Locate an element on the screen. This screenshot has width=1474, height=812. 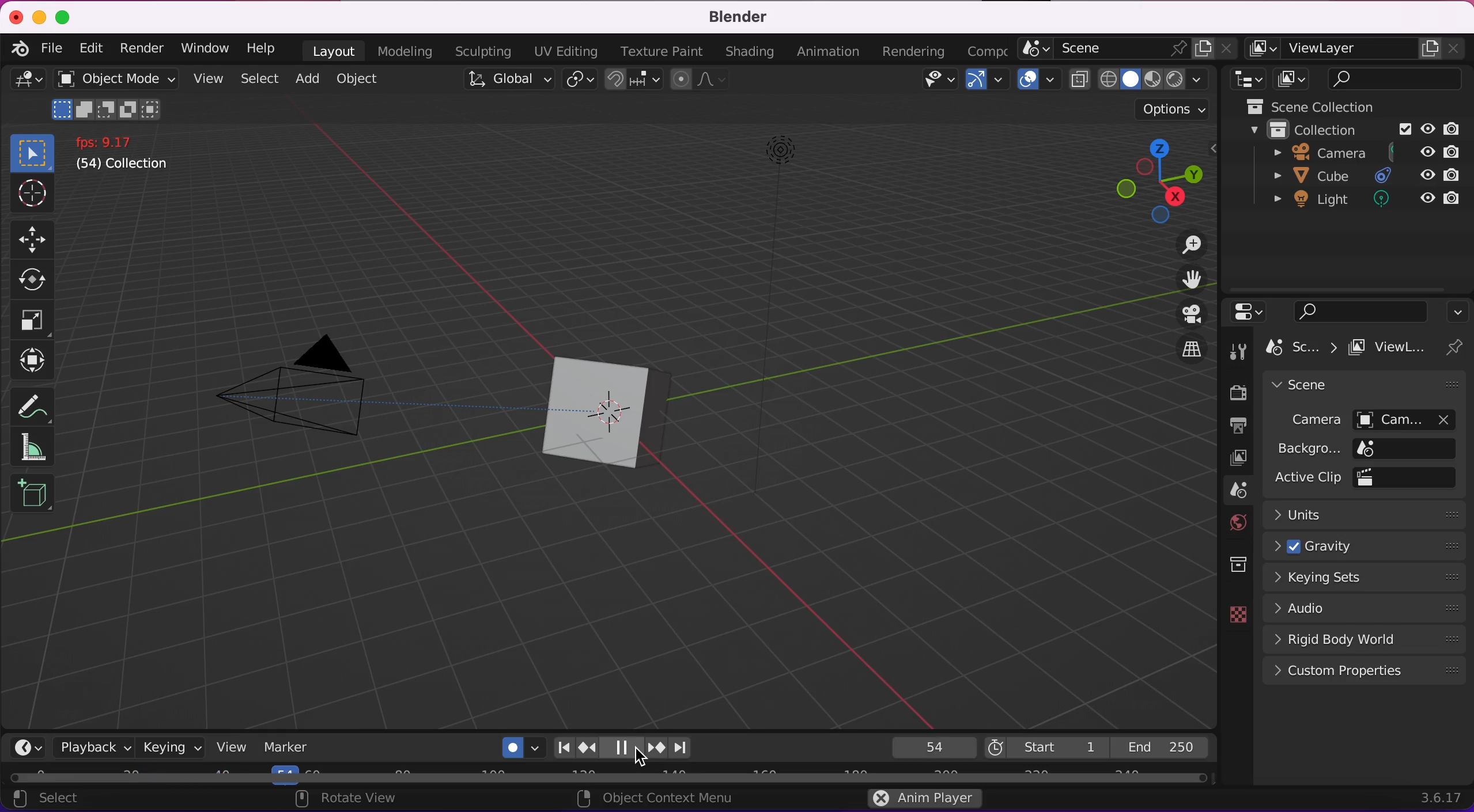
blender logo is located at coordinates (20, 50).